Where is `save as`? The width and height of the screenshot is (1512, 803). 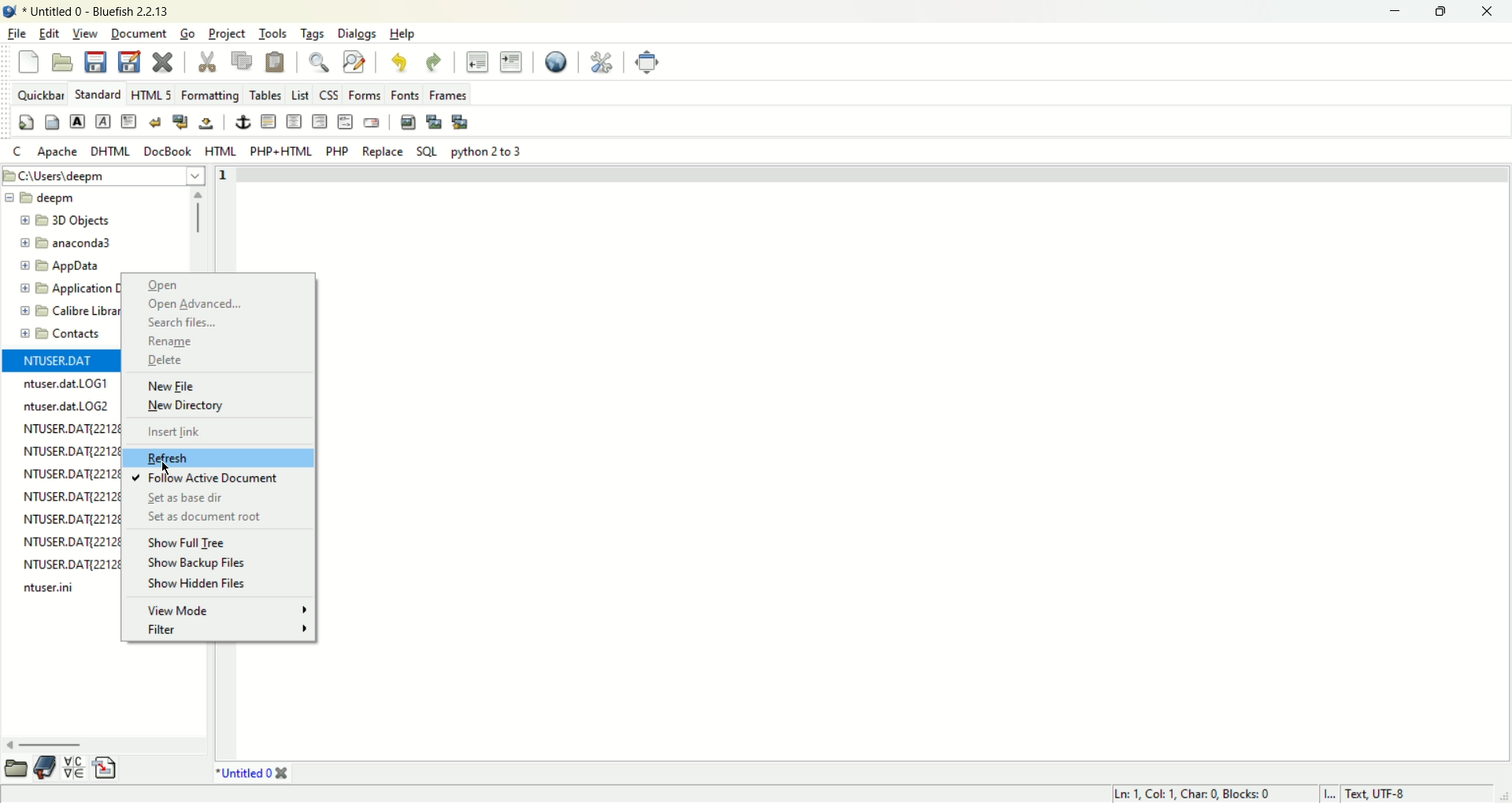 save as is located at coordinates (129, 60).